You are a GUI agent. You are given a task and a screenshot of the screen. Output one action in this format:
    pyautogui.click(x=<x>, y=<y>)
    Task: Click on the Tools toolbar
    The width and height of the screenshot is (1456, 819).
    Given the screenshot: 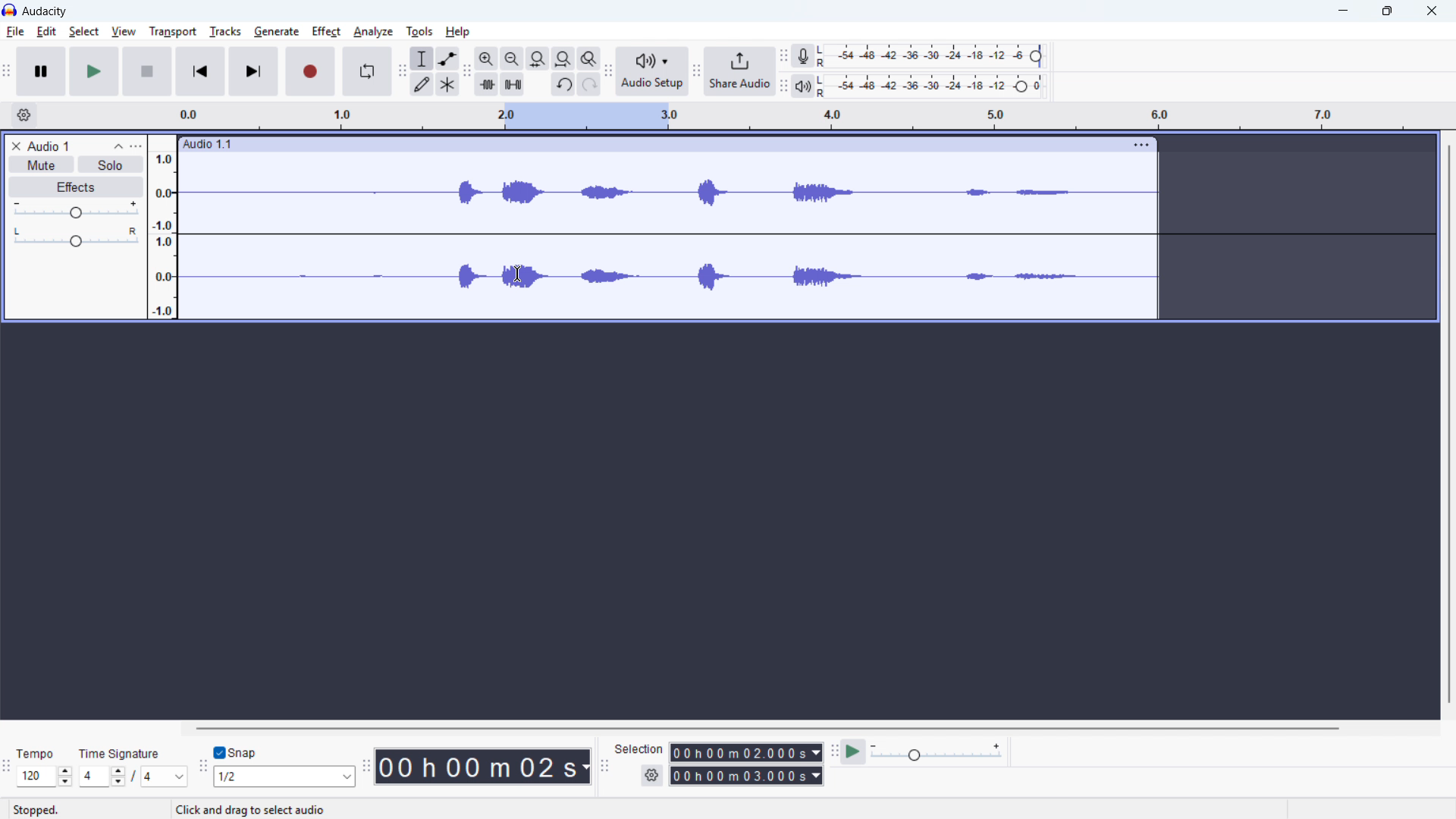 What is the action you would take?
    pyautogui.click(x=403, y=72)
    